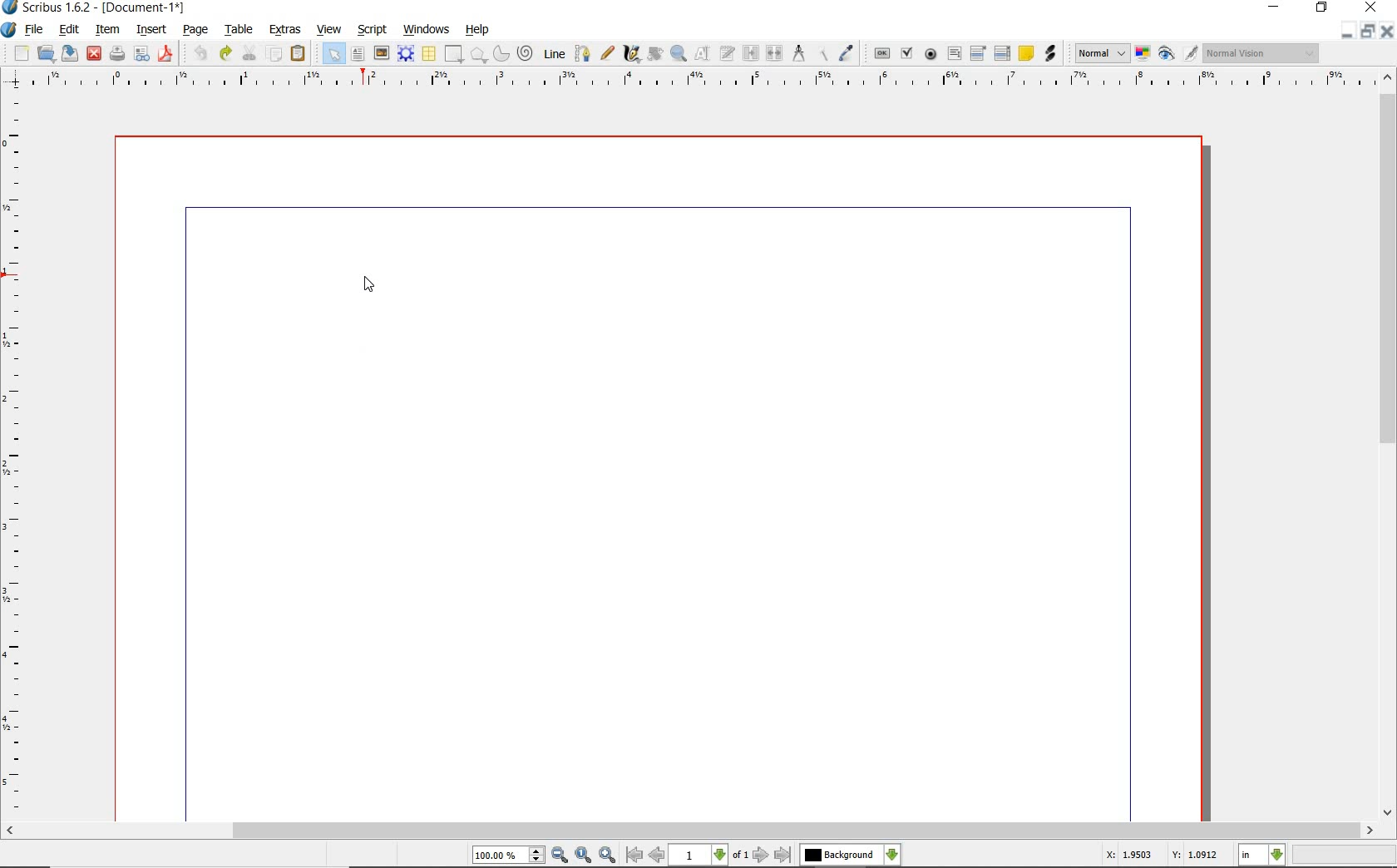 The width and height of the screenshot is (1397, 868). I want to click on rotate item, so click(654, 55).